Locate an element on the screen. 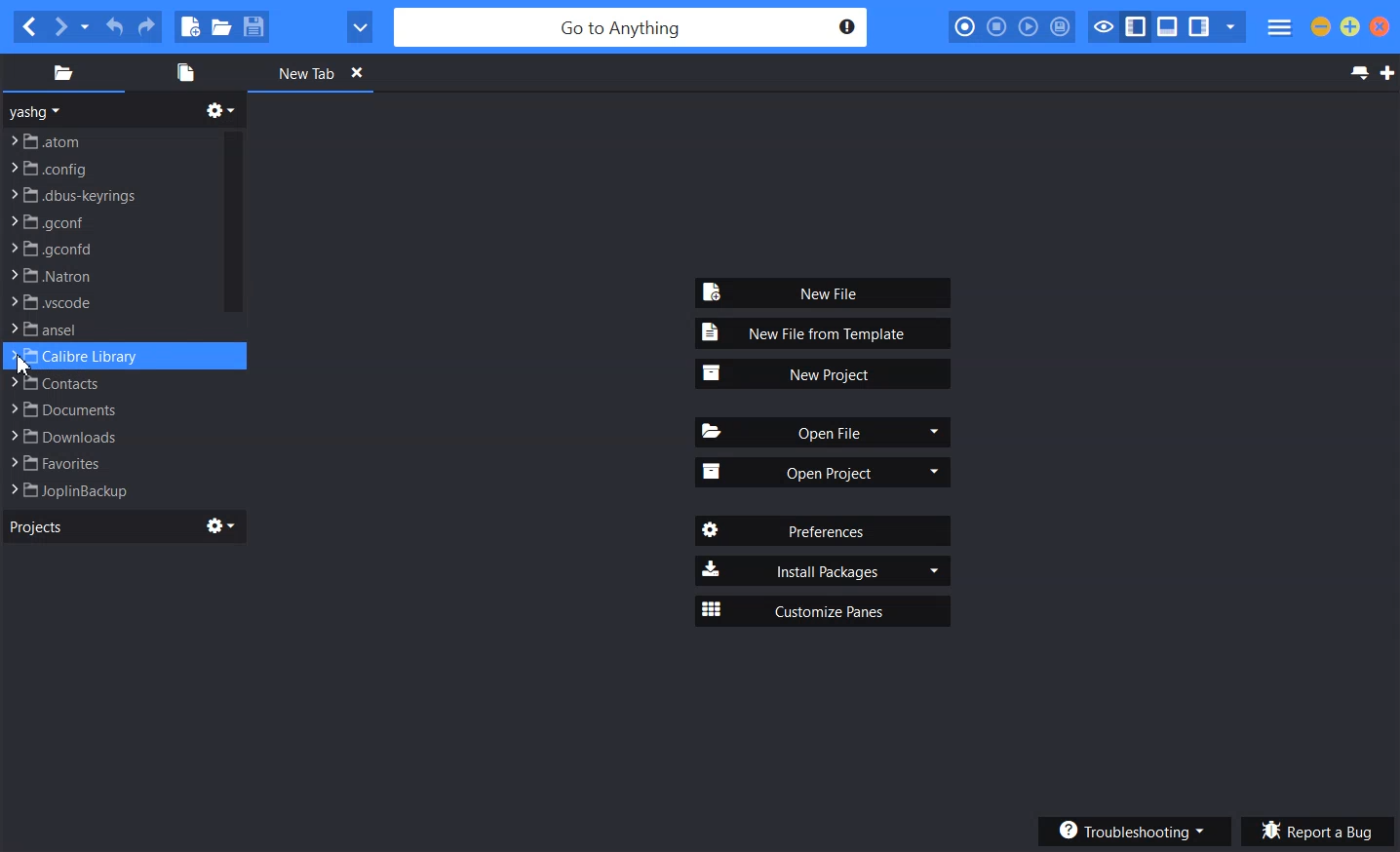 The height and width of the screenshot is (852, 1400). New Tab is located at coordinates (292, 72).